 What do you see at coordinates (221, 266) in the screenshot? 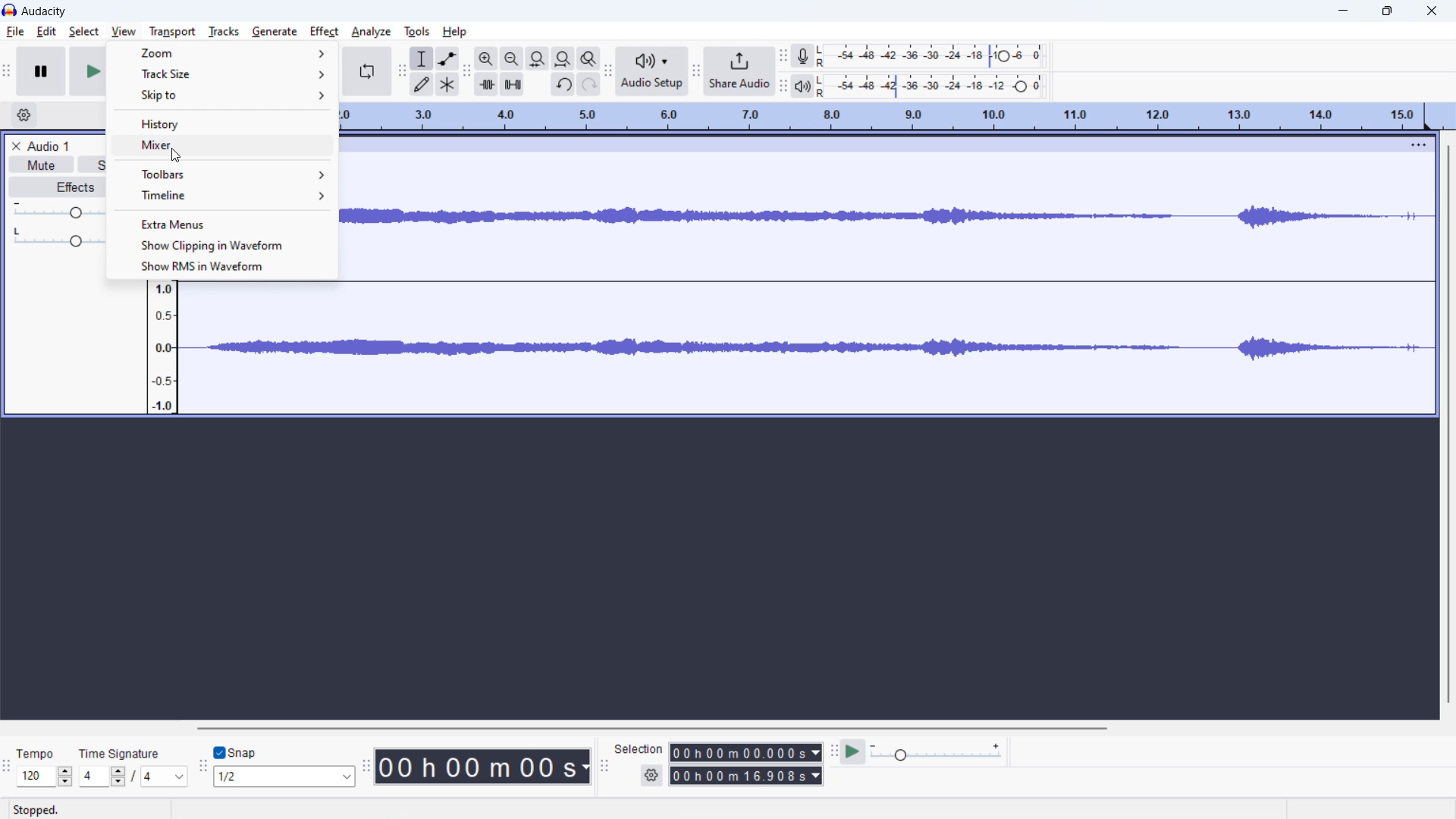
I see `show RMS in waveform` at bounding box center [221, 266].